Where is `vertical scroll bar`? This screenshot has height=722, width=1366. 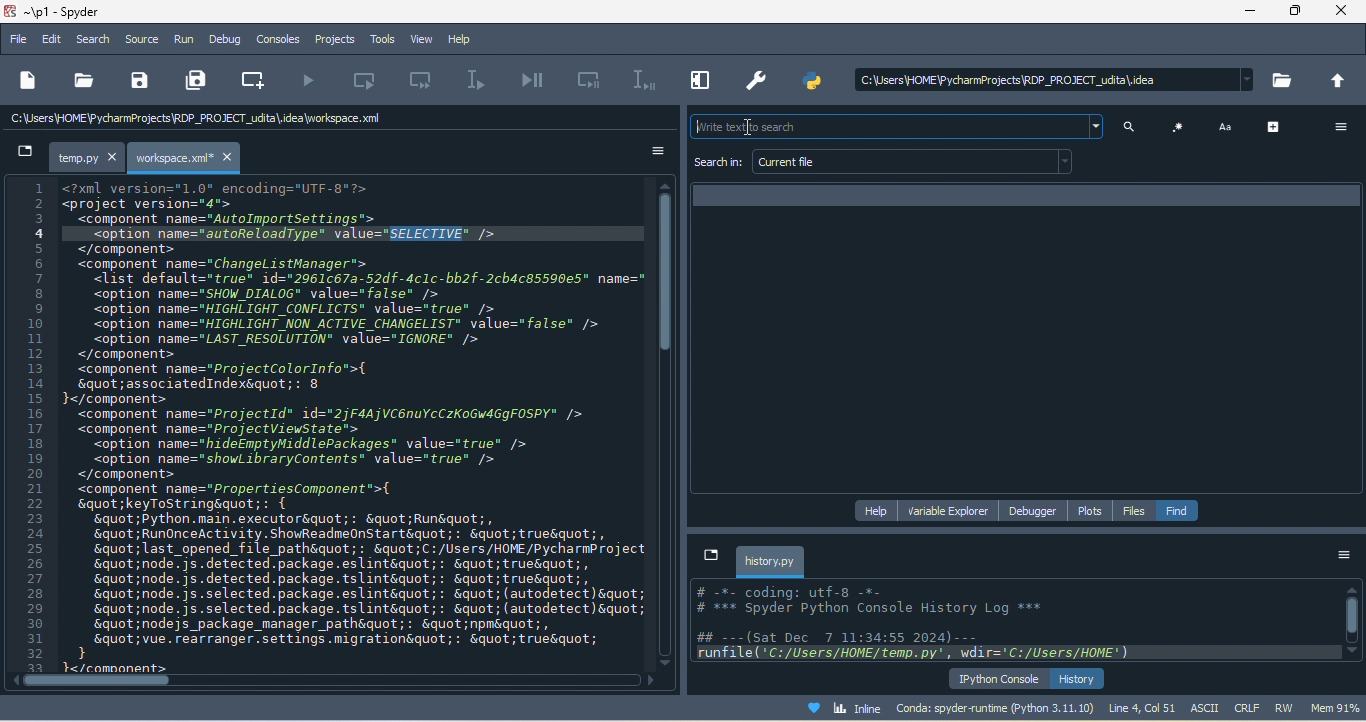 vertical scroll bar is located at coordinates (669, 277).